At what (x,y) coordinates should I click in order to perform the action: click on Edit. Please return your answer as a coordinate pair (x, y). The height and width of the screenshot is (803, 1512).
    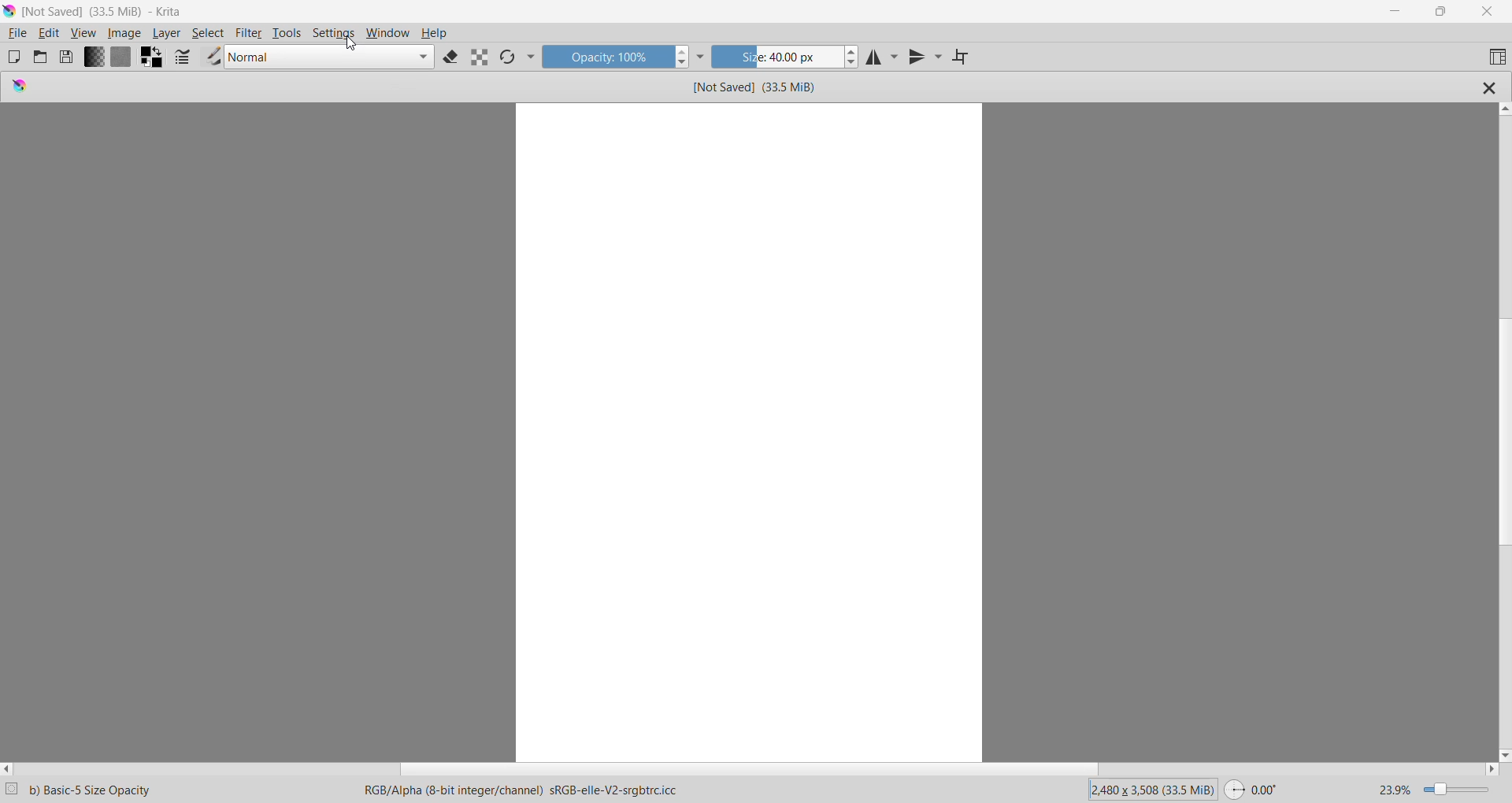
    Looking at the image, I should click on (50, 35).